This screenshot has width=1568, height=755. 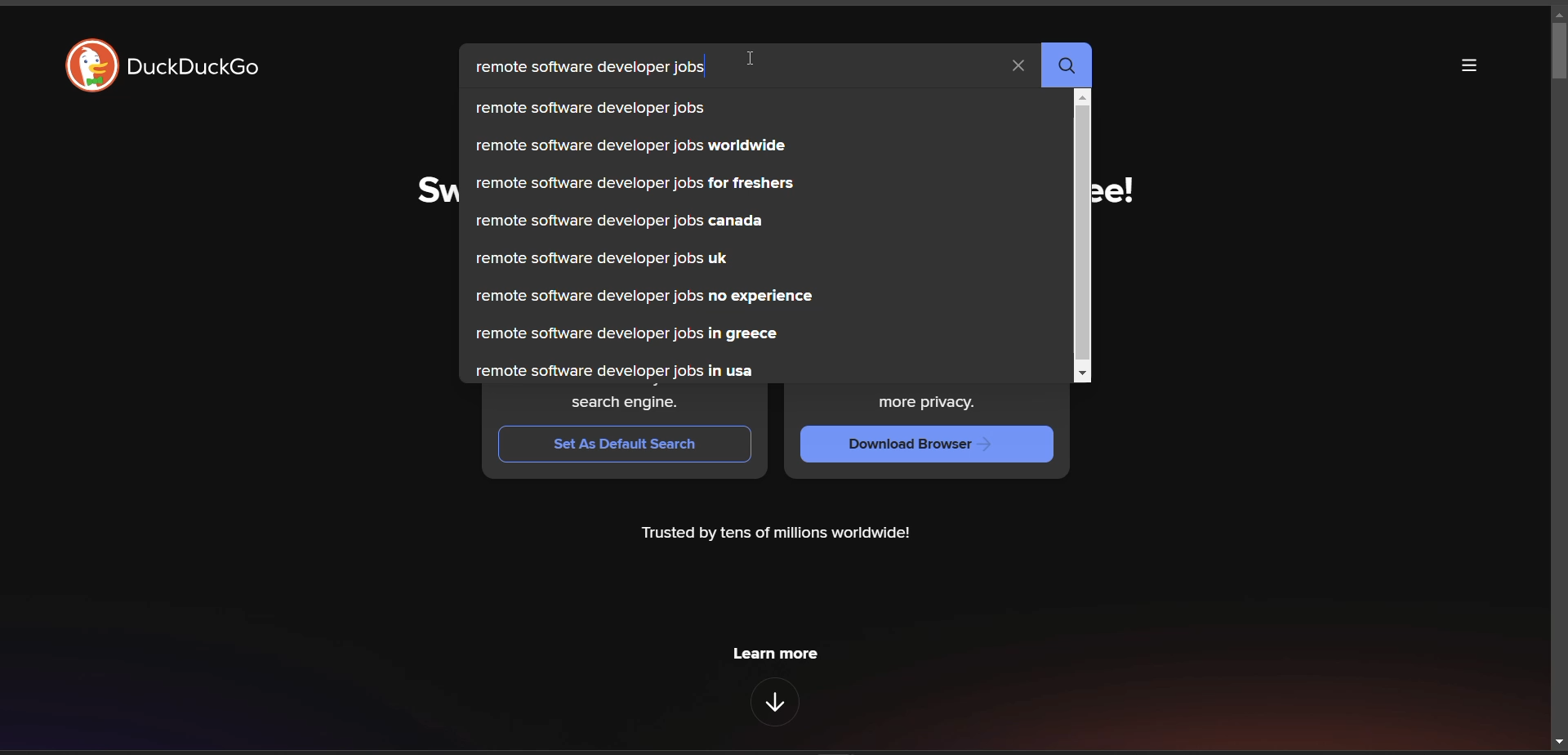 I want to click on DuckDuckGo, so click(x=202, y=70).